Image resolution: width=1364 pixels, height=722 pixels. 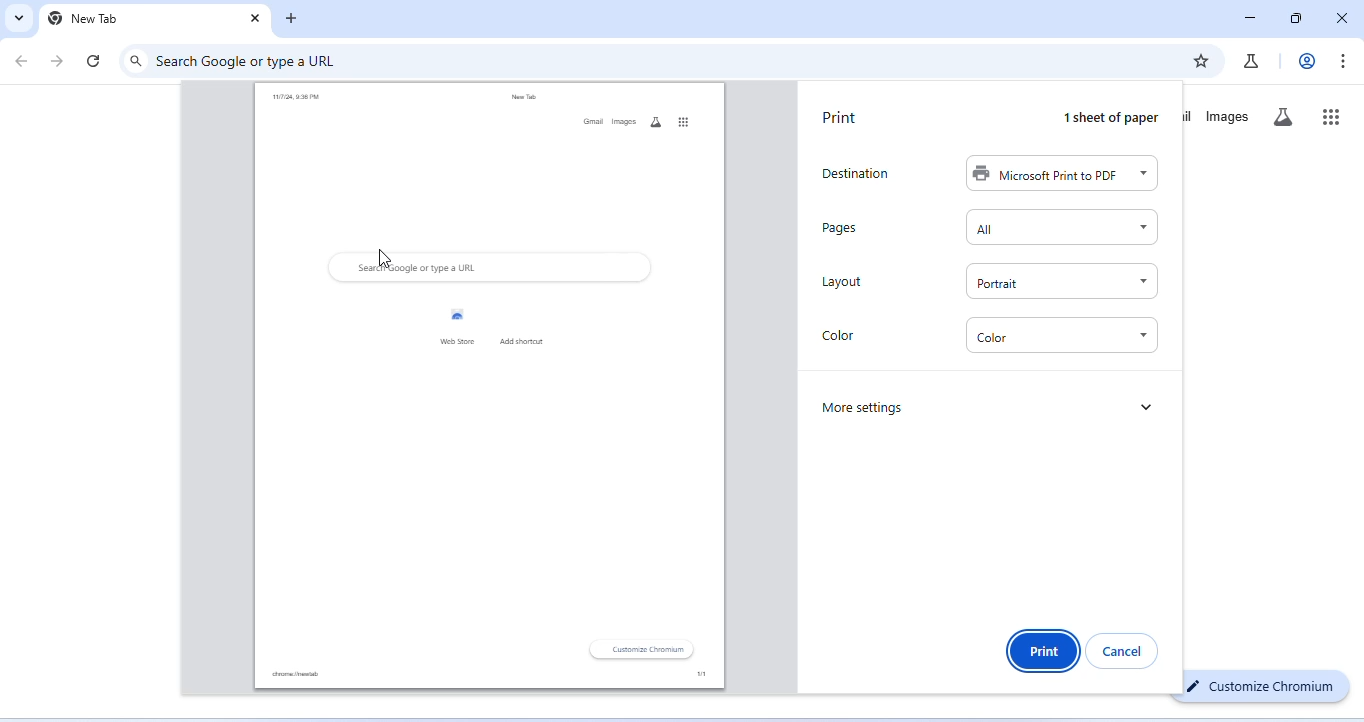 What do you see at coordinates (136, 60) in the screenshot?
I see `search icon` at bounding box center [136, 60].